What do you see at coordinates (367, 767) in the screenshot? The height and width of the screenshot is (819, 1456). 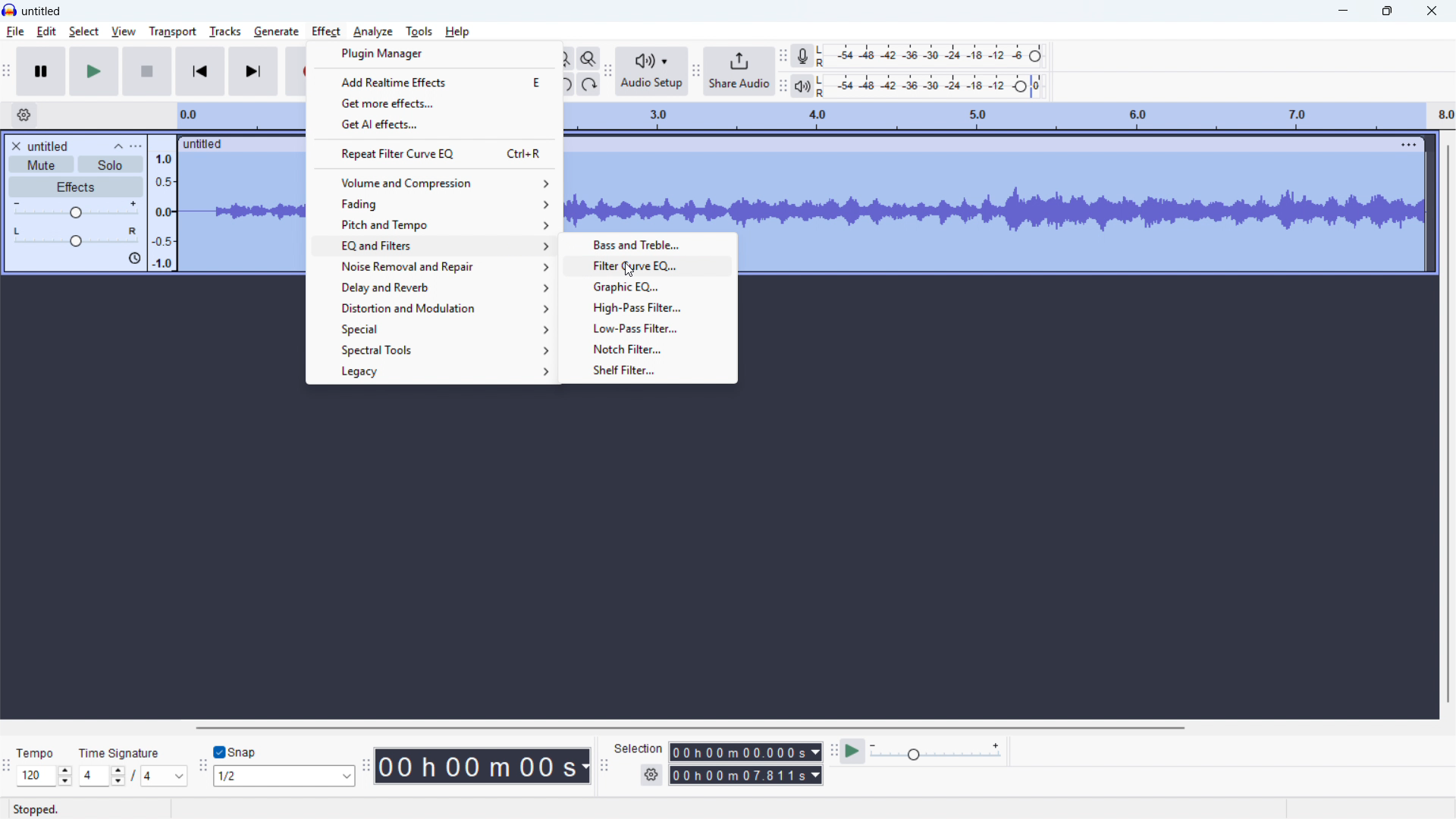 I see `Time toolbar ` at bounding box center [367, 767].